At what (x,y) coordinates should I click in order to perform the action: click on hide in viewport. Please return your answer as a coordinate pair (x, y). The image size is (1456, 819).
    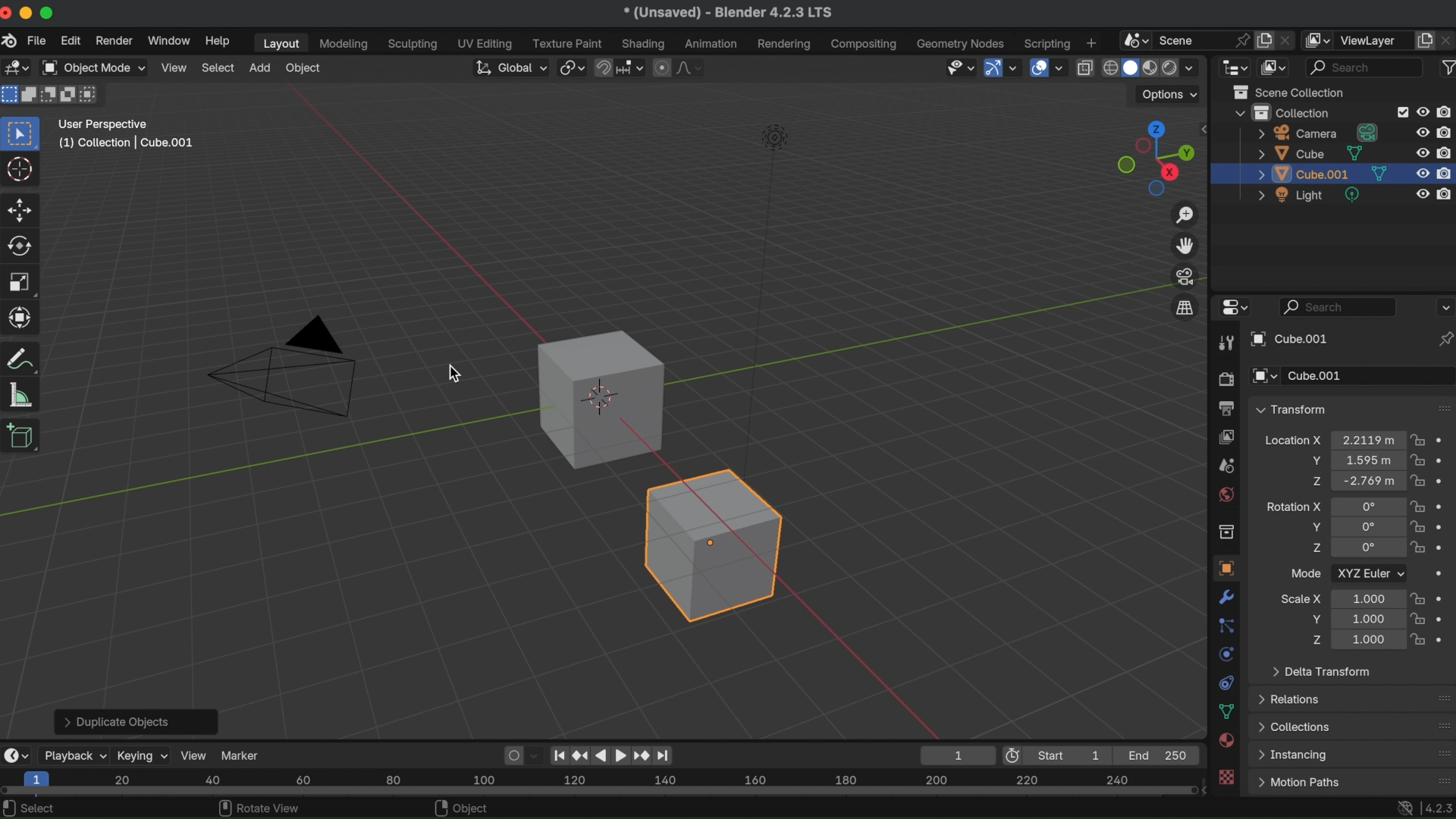
    Looking at the image, I should click on (1423, 196).